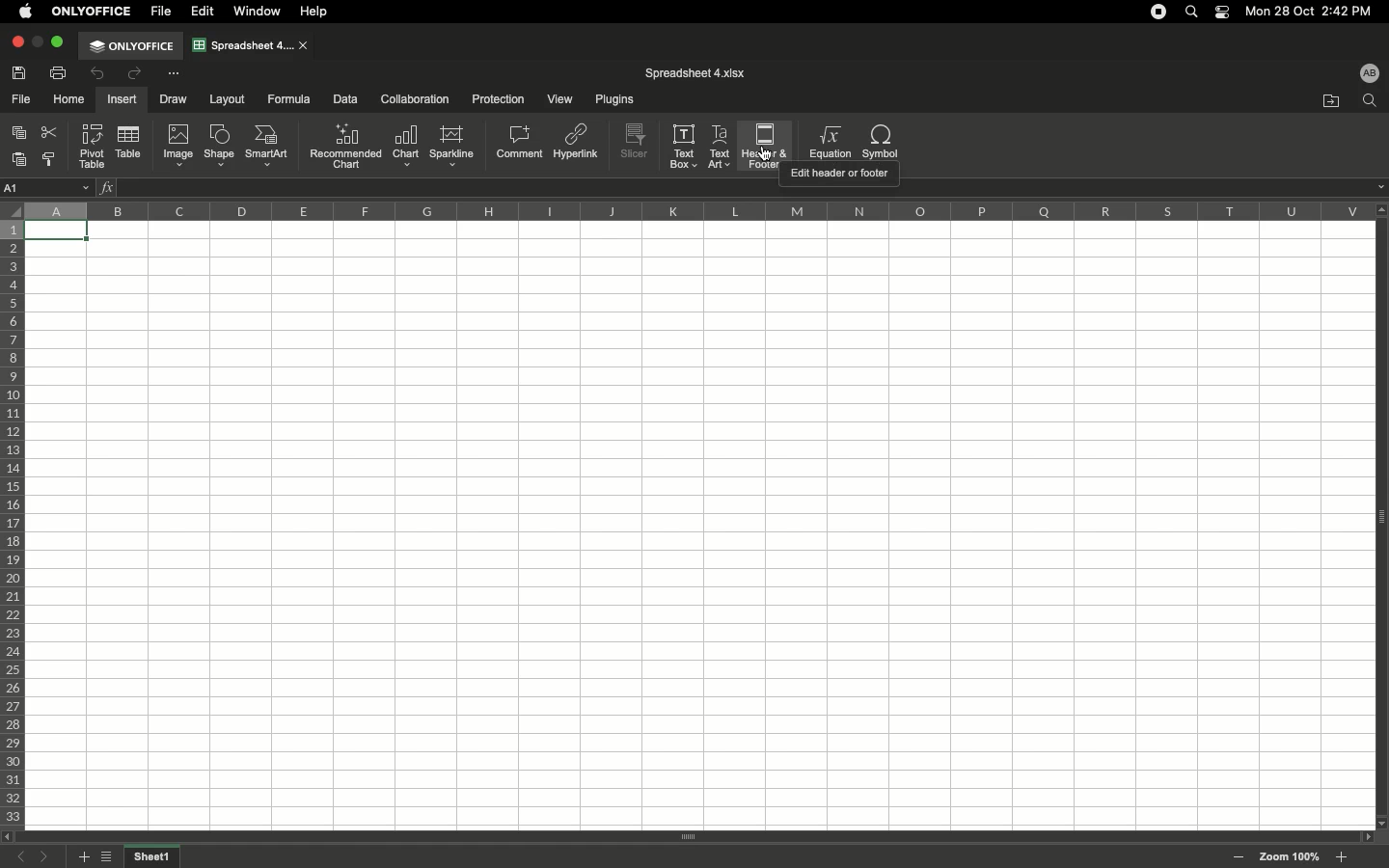 The image size is (1389, 868). Describe the element at coordinates (69, 100) in the screenshot. I see `Home` at that location.